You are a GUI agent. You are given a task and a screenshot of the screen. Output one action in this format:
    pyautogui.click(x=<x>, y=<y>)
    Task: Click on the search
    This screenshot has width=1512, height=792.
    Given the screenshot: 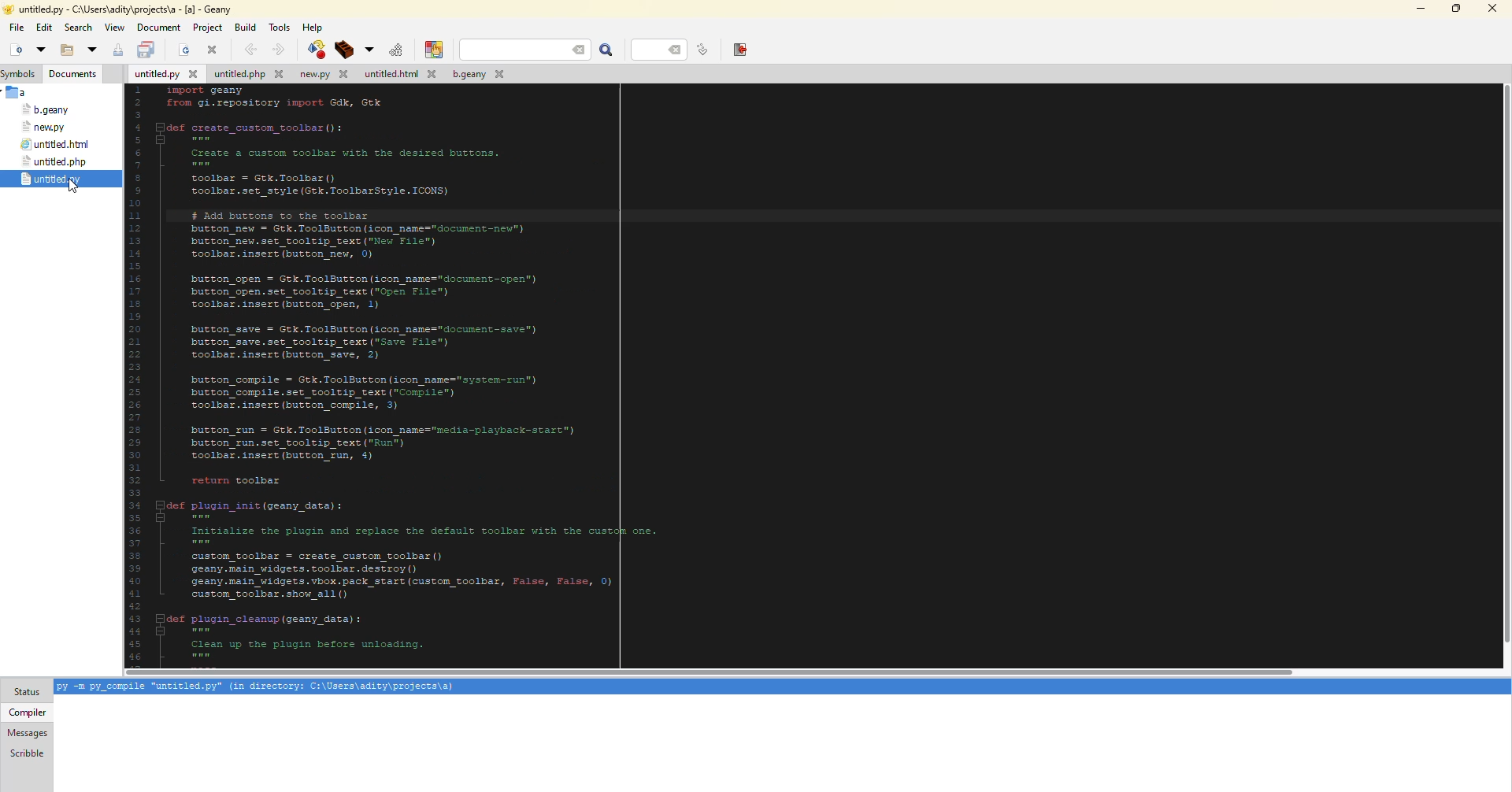 What is the action you would take?
    pyautogui.click(x=79, y=27)
    